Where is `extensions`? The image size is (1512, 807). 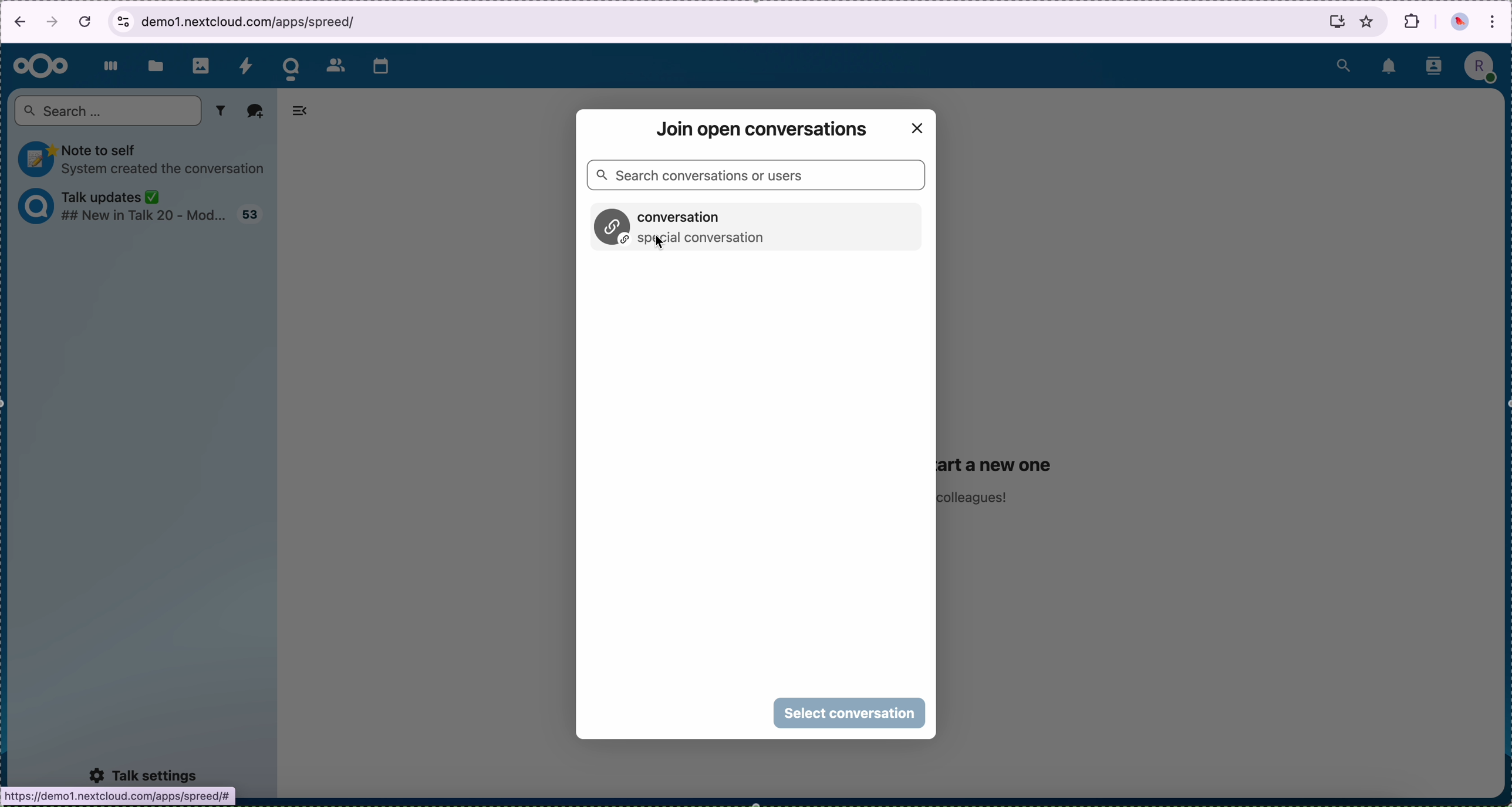 extensions is located at coordinates (1412, 18).